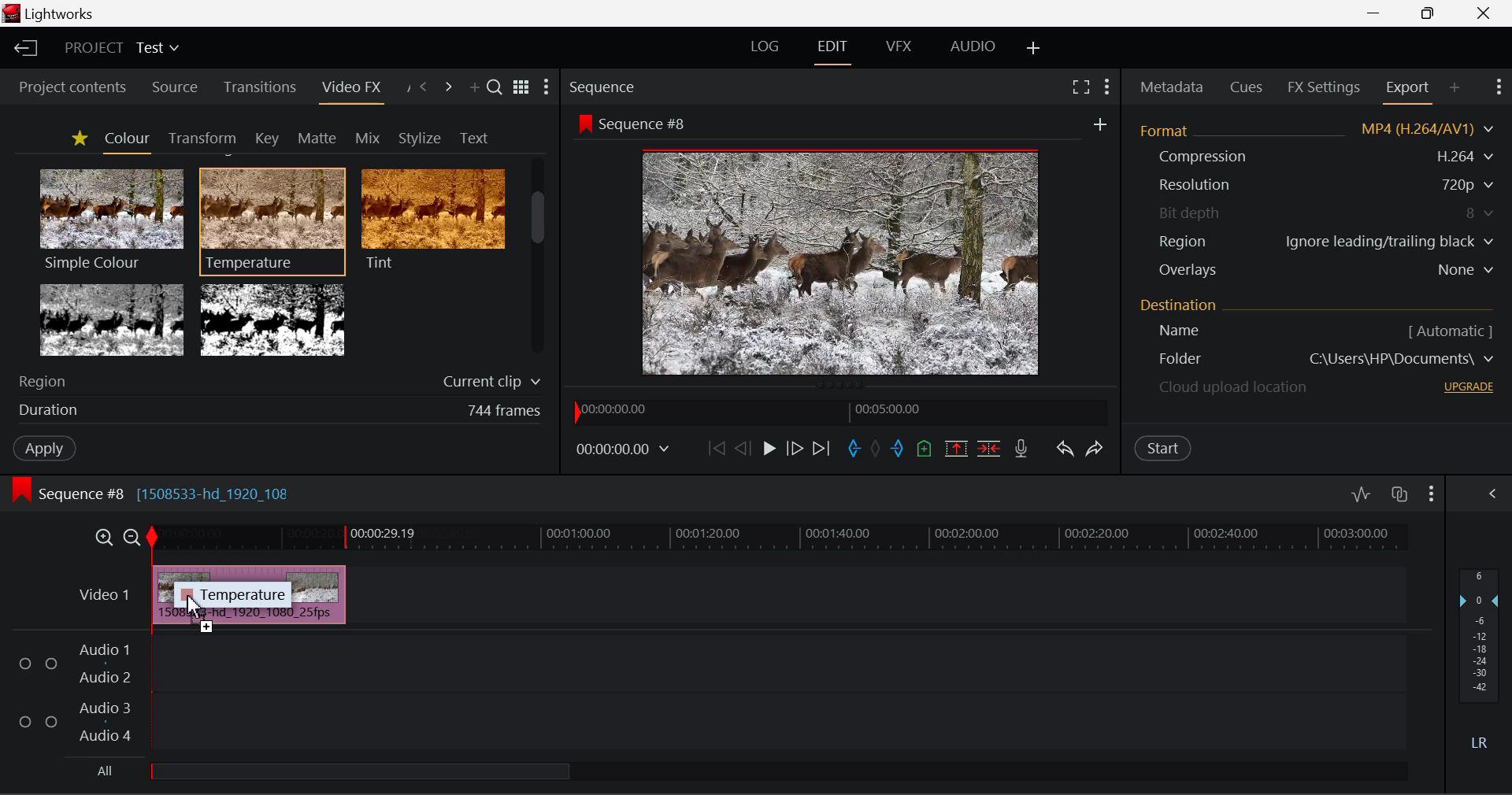 This screenshot has width=1512, height=795. What do you see at coordinates (1200, 157) in the screenshot?
I see `Compression` at bounding box center [1200, 157].